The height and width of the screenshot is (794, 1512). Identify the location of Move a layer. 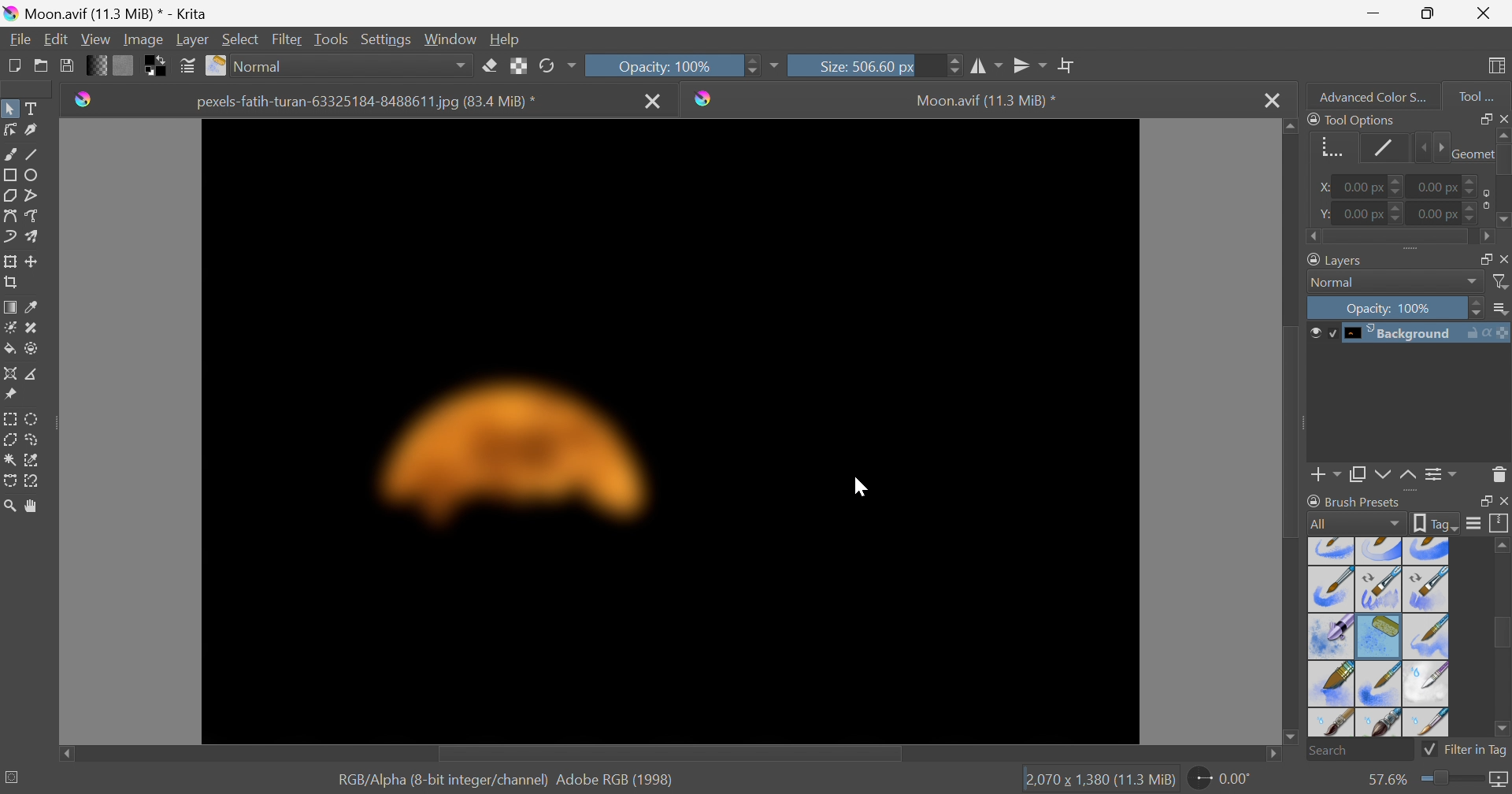
(32, 259).